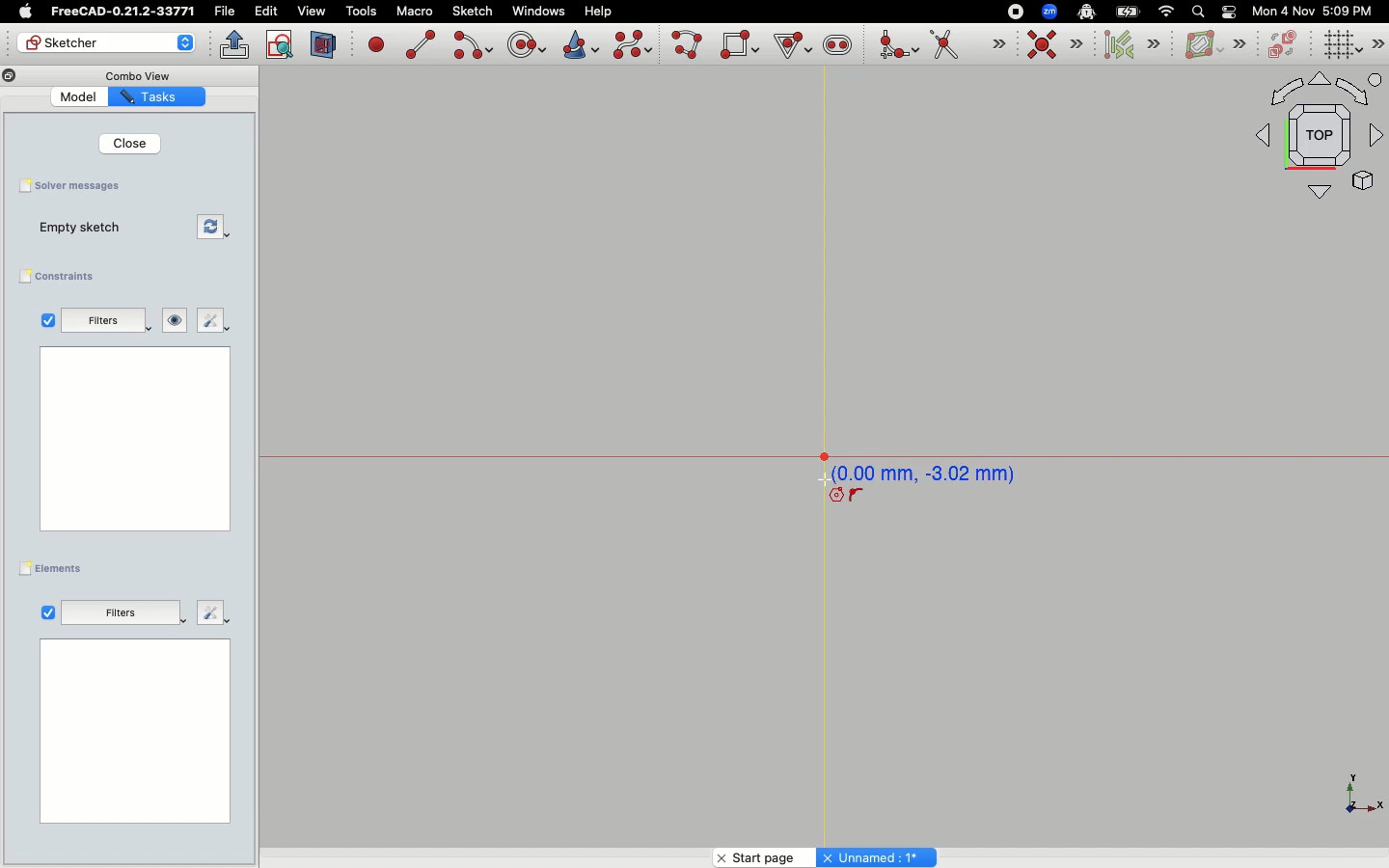 This screenshot has height=868, width=1389. What do you see at coordinates (10, 78) in the screenshot?
I see `Copy` at bounding box center [10, 78].